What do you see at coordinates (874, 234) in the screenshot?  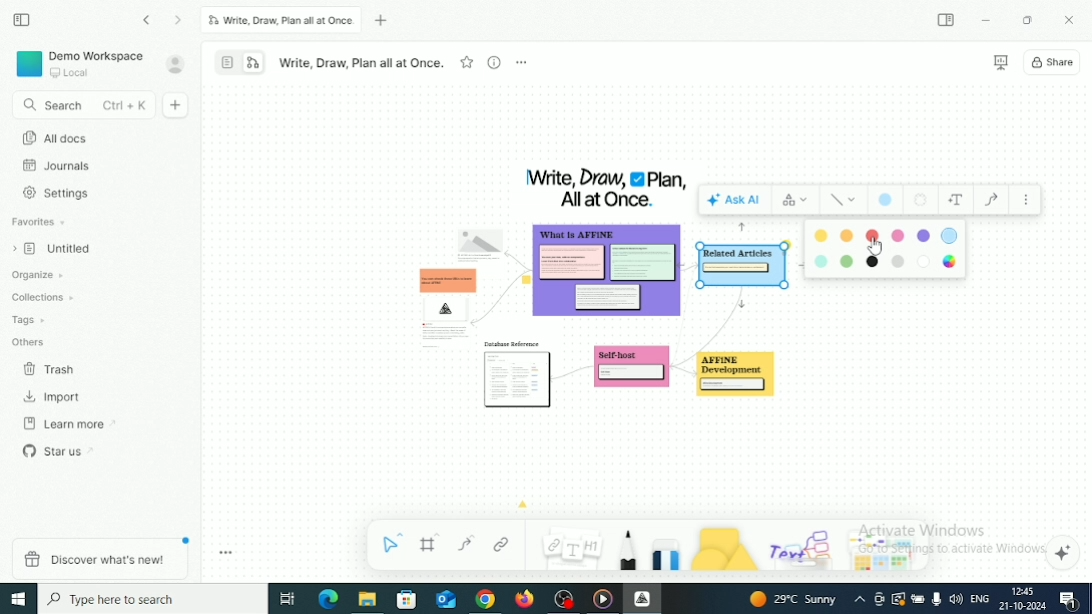 I see `Red` at bounding box center [874, 234].